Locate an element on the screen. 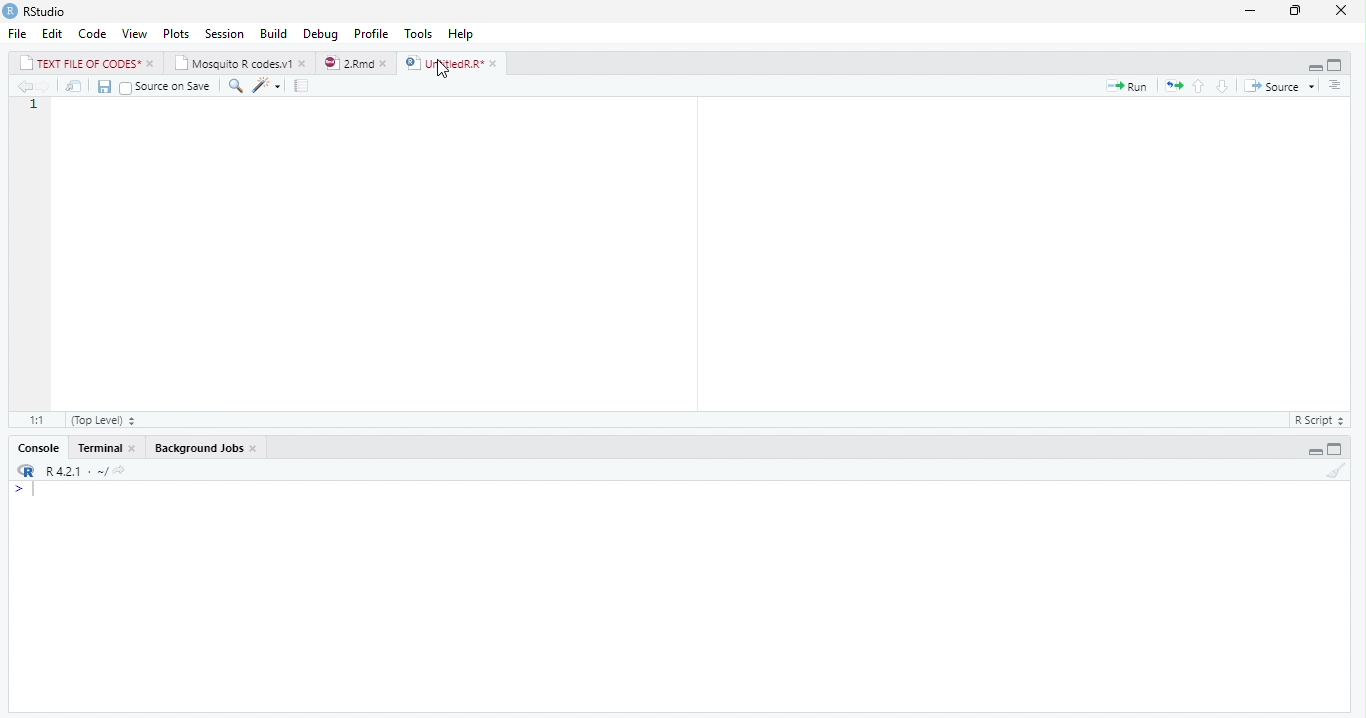 This screenshot has height=718, width=1366. Find/Replace is located at coordinates (236, 86).